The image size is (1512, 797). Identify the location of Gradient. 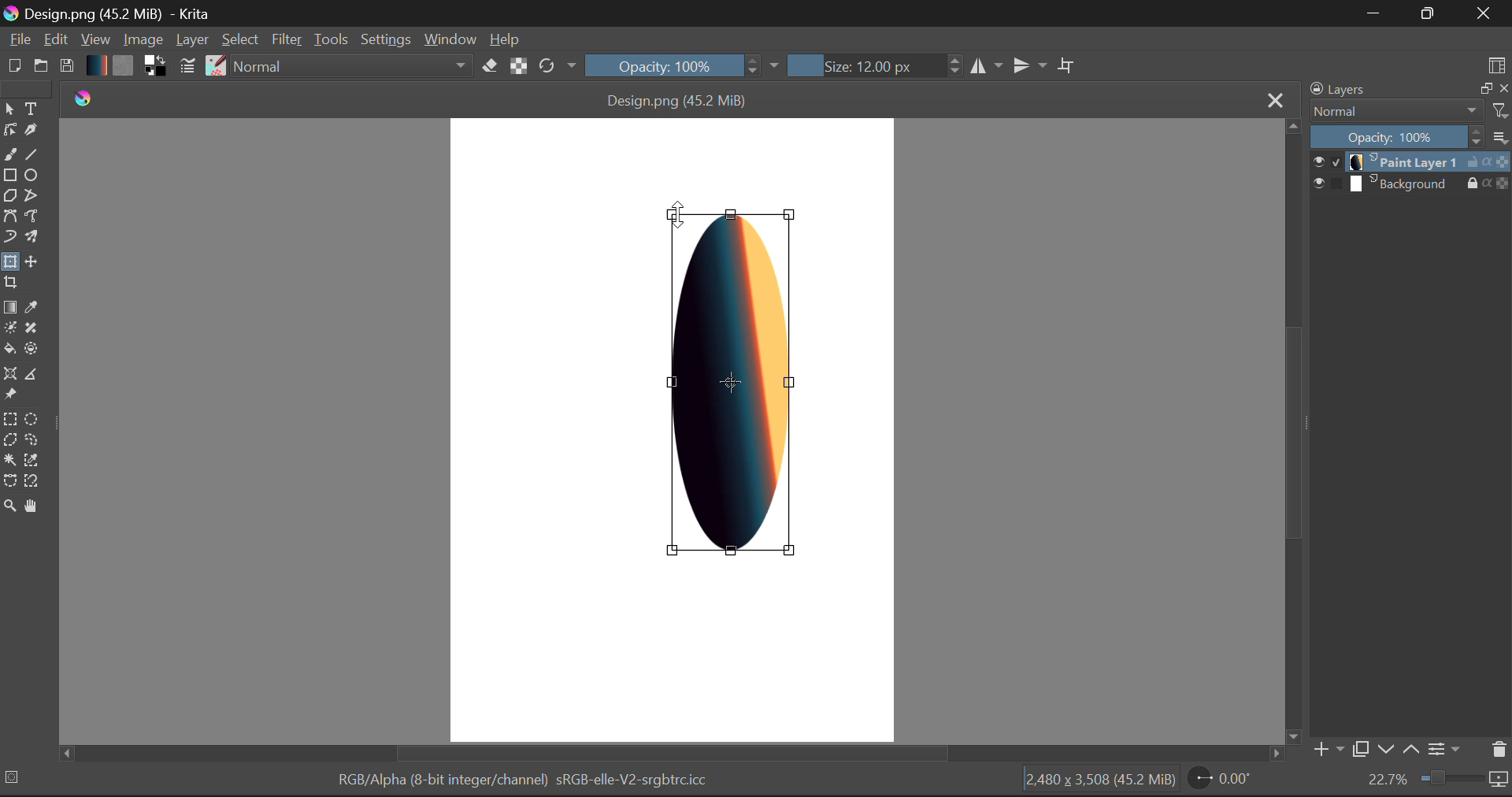
(96, 65).